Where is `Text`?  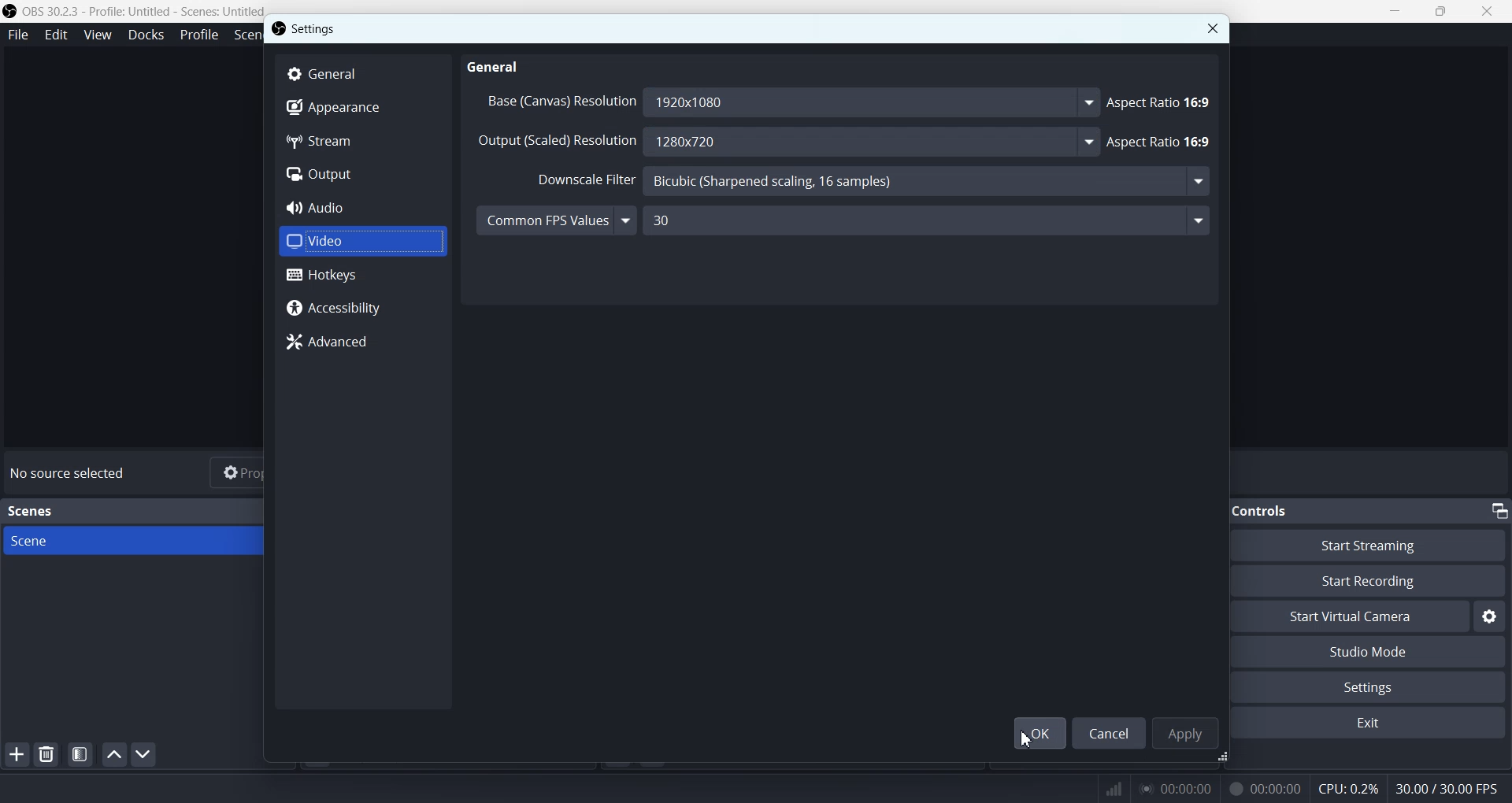
Text is located at coordinates (33, 511).